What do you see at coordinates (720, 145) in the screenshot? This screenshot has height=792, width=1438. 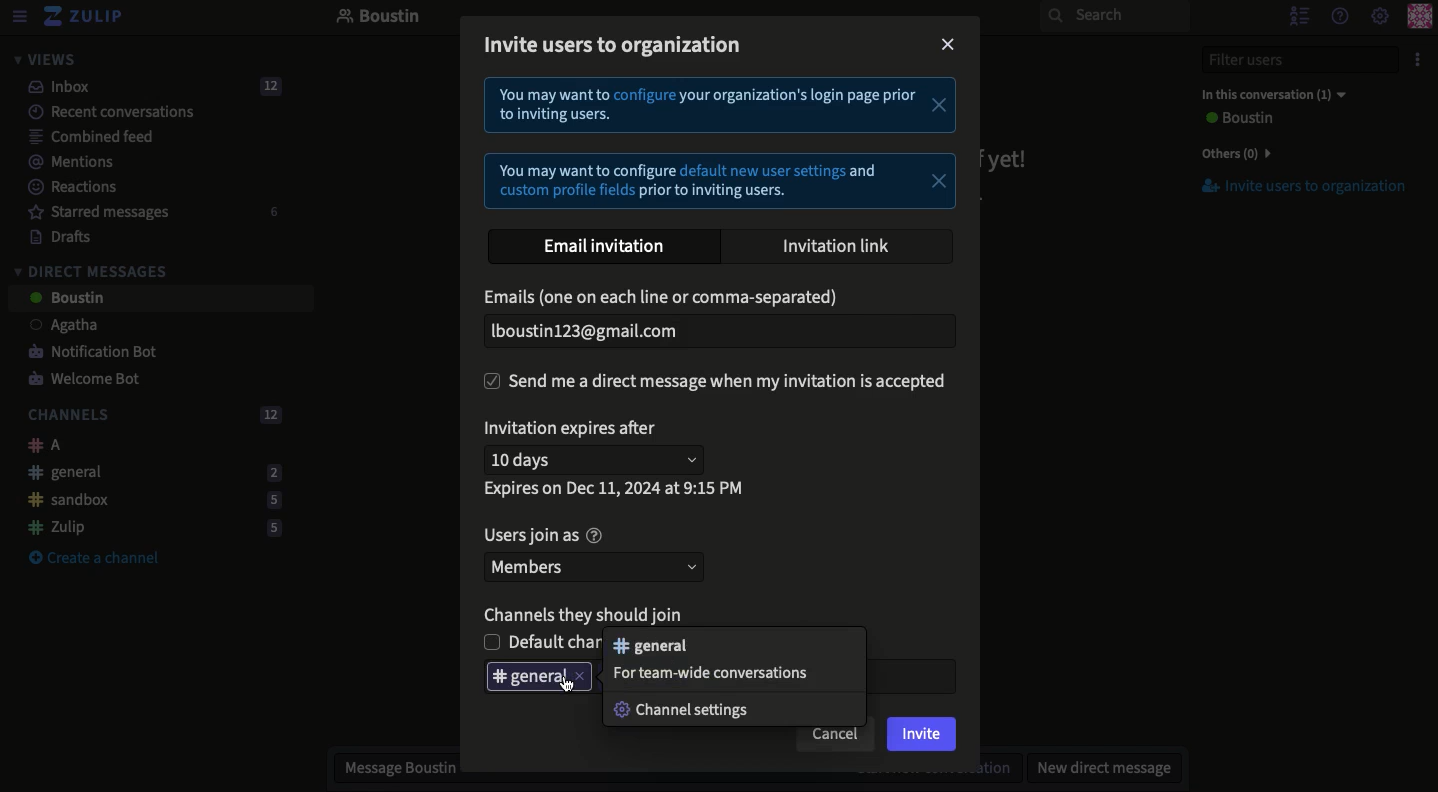 I see `Instructional text` at bounding box center [720, 145].